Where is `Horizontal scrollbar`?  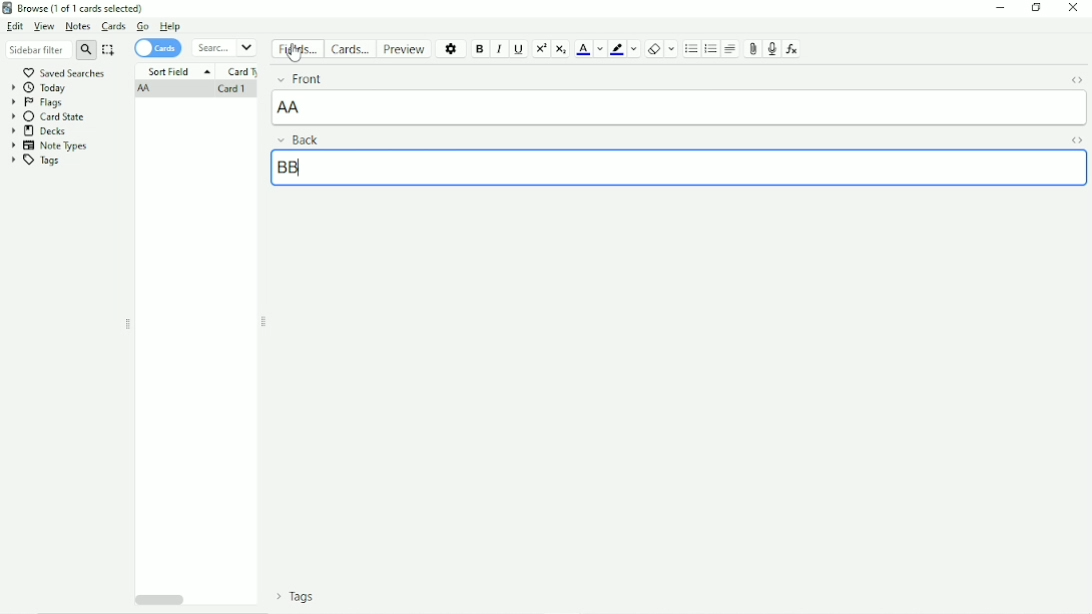 Horizontal scrollbar is located at coordinates (160, 598).